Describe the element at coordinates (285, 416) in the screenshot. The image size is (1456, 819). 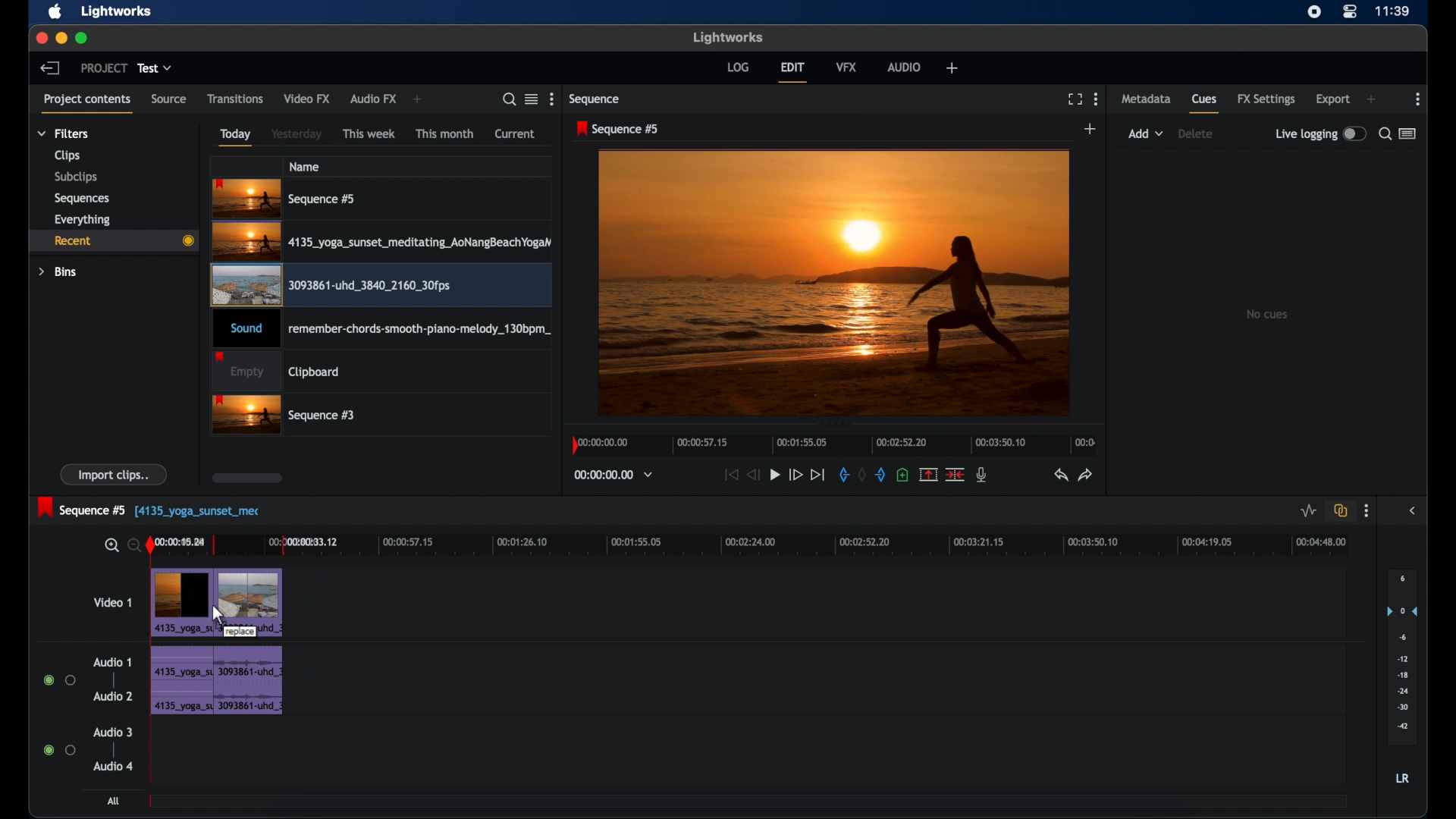
I see `sequence 3` at that location.